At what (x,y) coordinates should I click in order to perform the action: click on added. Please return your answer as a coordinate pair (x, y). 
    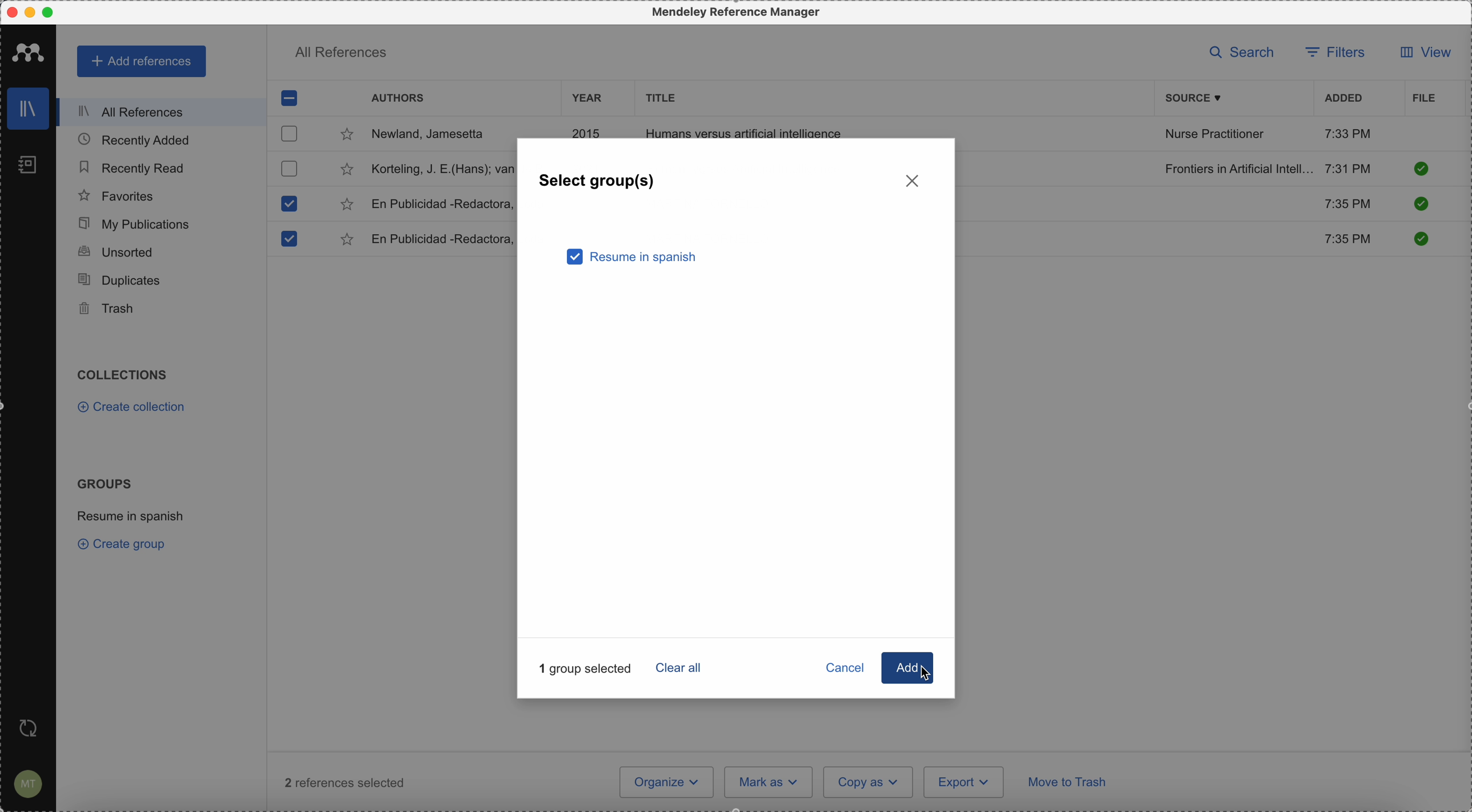
    Looking at the image, I should click on (1344, 99).